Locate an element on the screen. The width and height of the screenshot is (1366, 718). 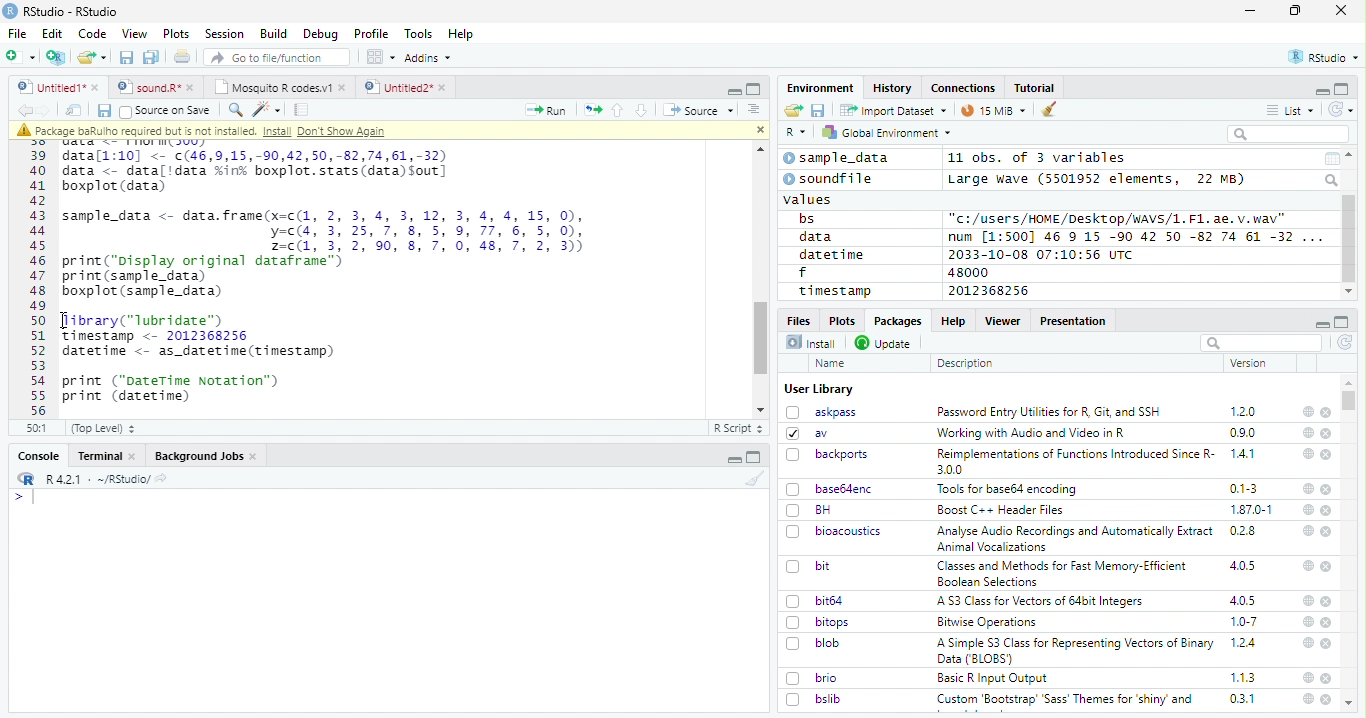
scroll up is located at coordinates (1351, 155).